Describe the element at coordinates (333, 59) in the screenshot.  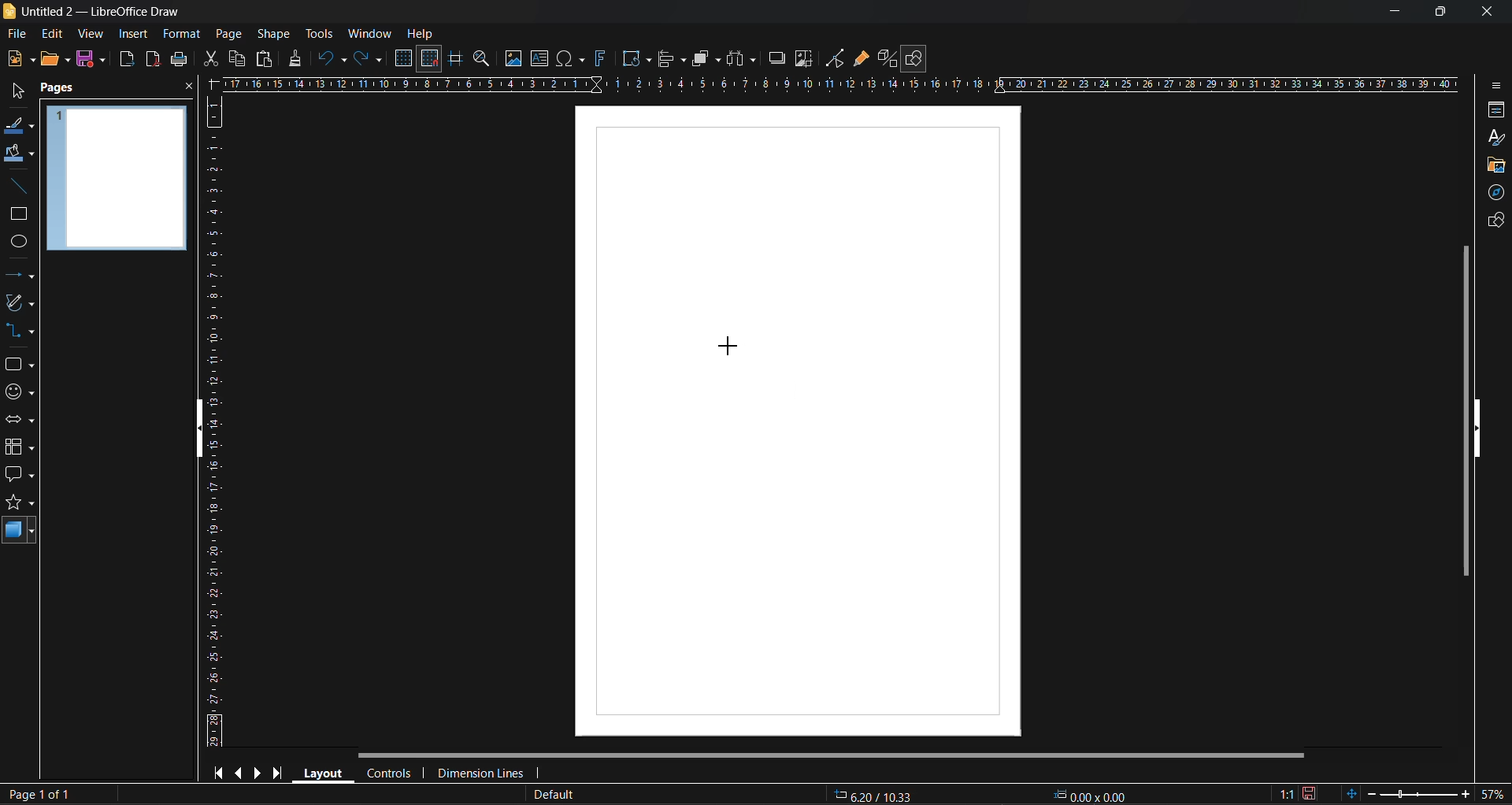
I see `undo` at that location.